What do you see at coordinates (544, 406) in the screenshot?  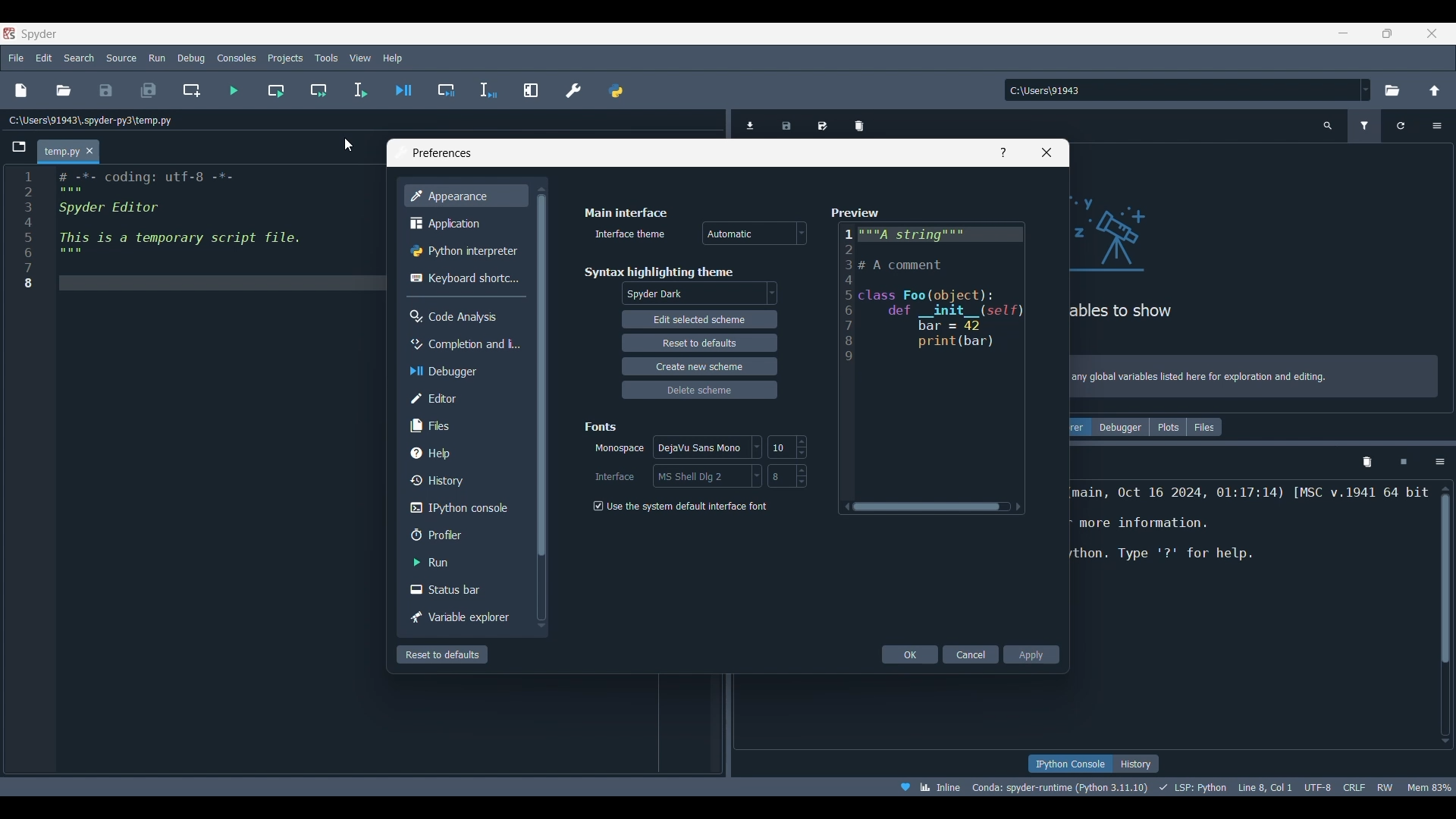 I see `scrollbar` at bounding box center [544, 406].